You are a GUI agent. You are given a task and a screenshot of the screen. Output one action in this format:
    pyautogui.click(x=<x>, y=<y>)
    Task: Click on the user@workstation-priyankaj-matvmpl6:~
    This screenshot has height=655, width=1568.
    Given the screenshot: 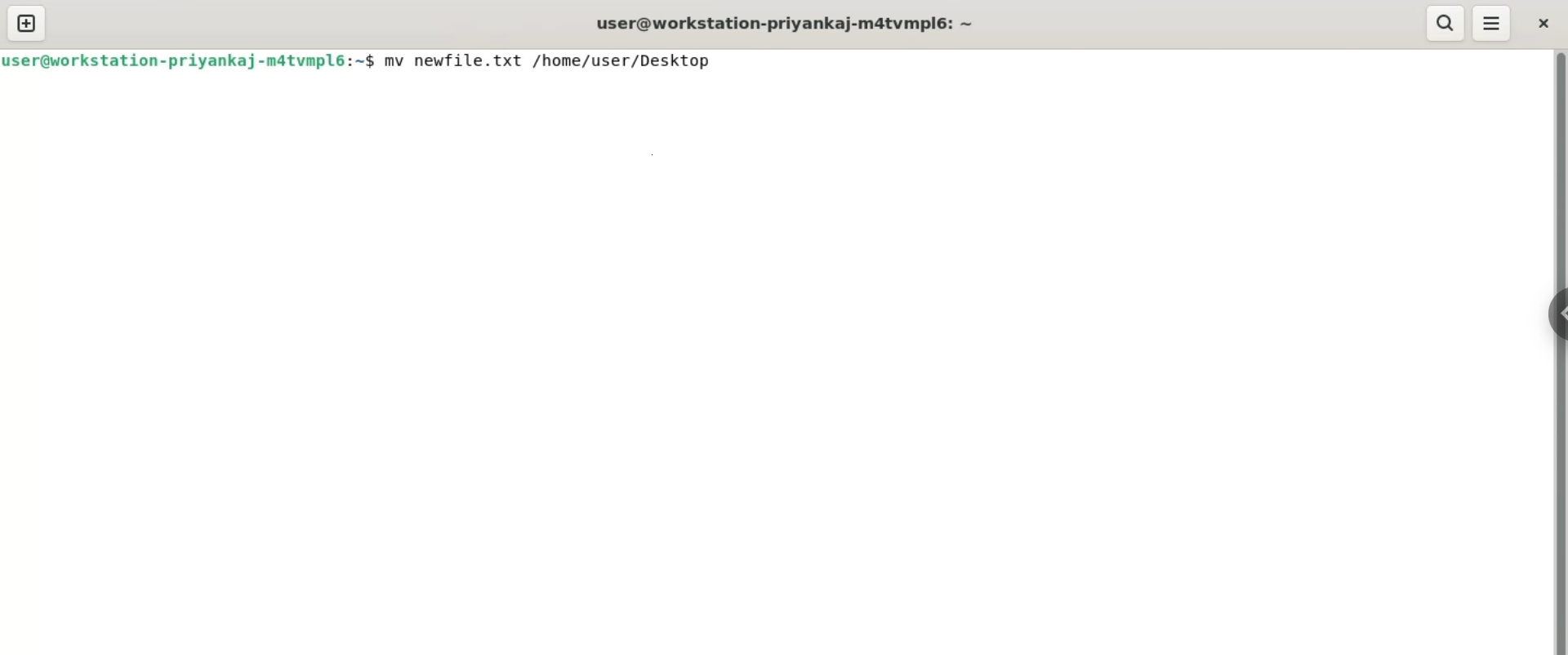 What is the action you would take?
    pyautogui.click(x=790, y=26)
    